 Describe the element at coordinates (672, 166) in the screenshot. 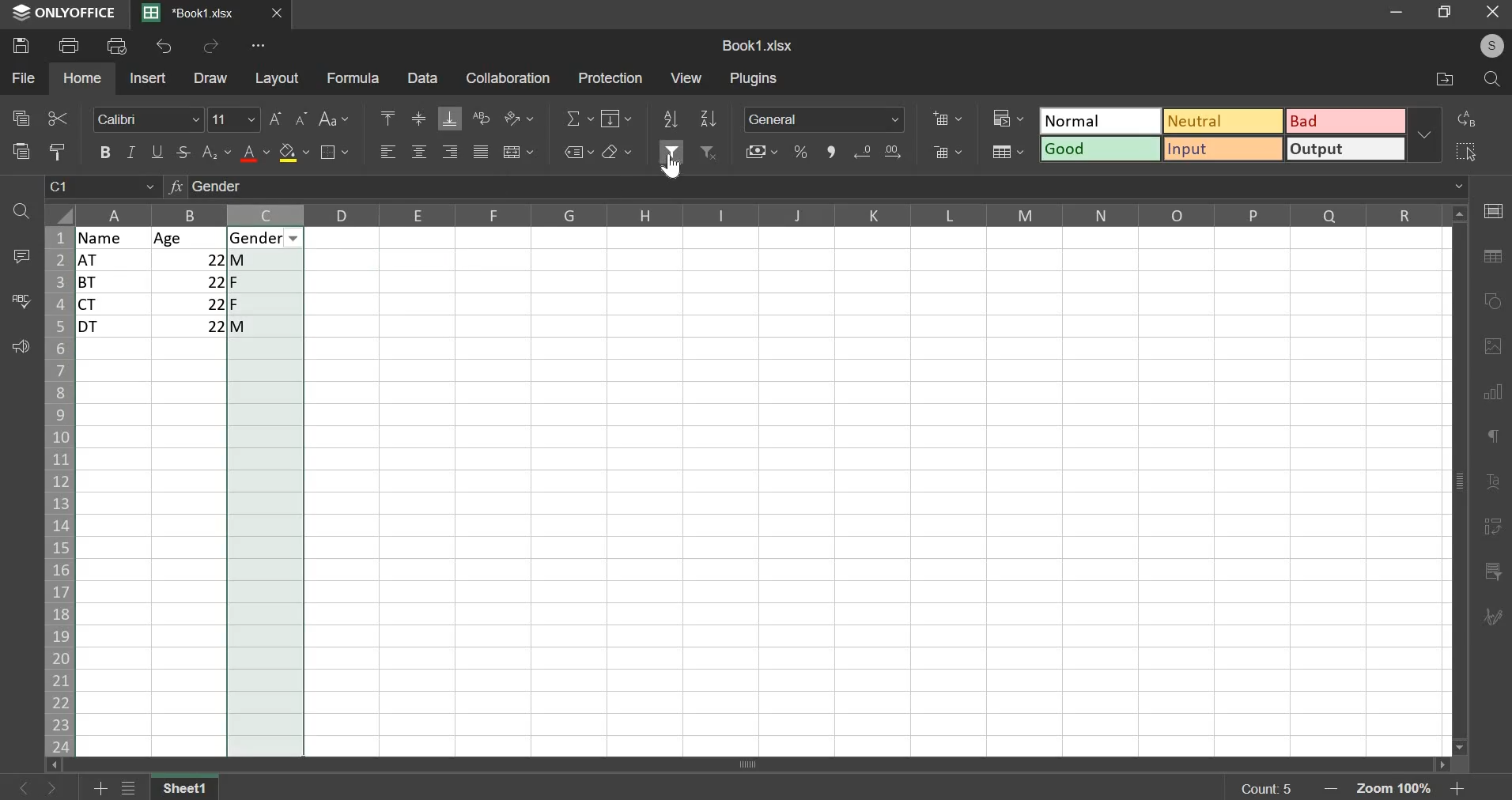

I see `Cursor` at that location.